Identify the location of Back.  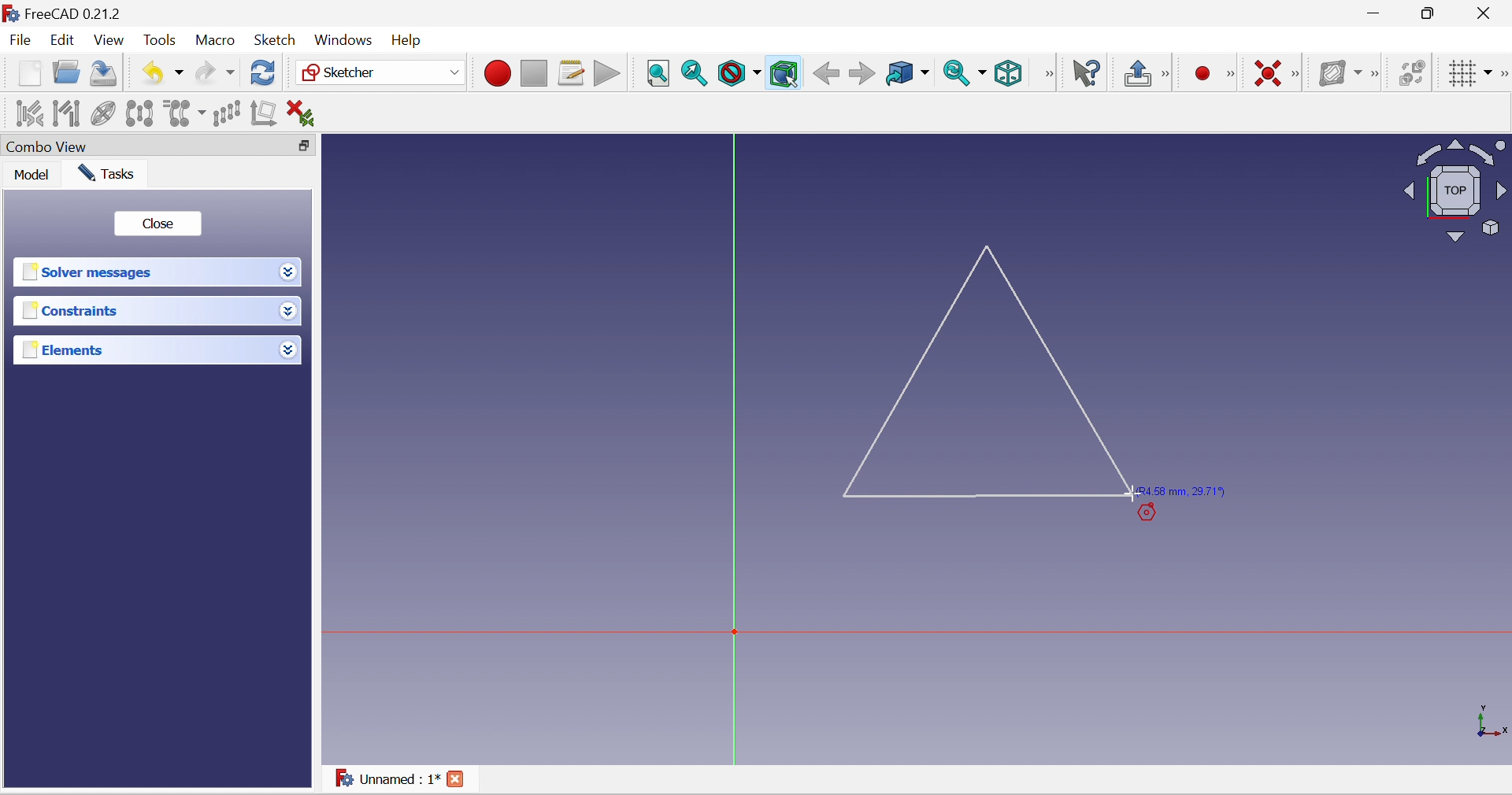
(827, 74).